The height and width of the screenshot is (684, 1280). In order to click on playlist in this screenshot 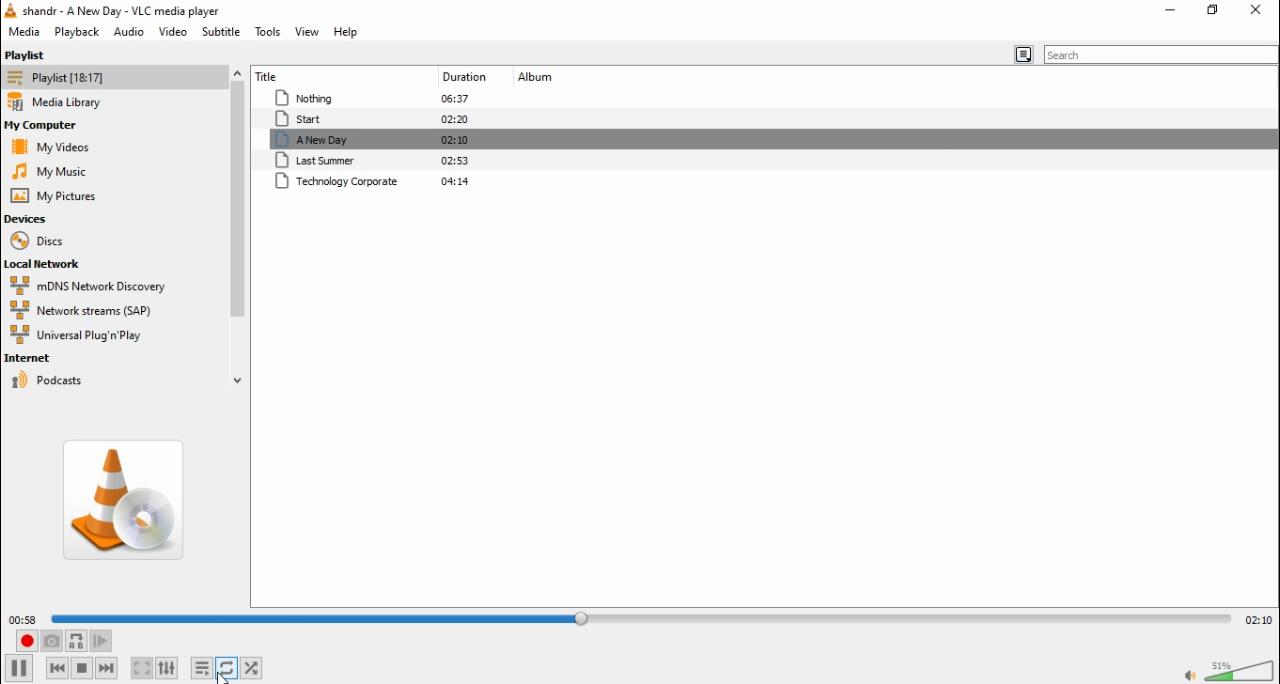, I will do `click(31, 54)`.